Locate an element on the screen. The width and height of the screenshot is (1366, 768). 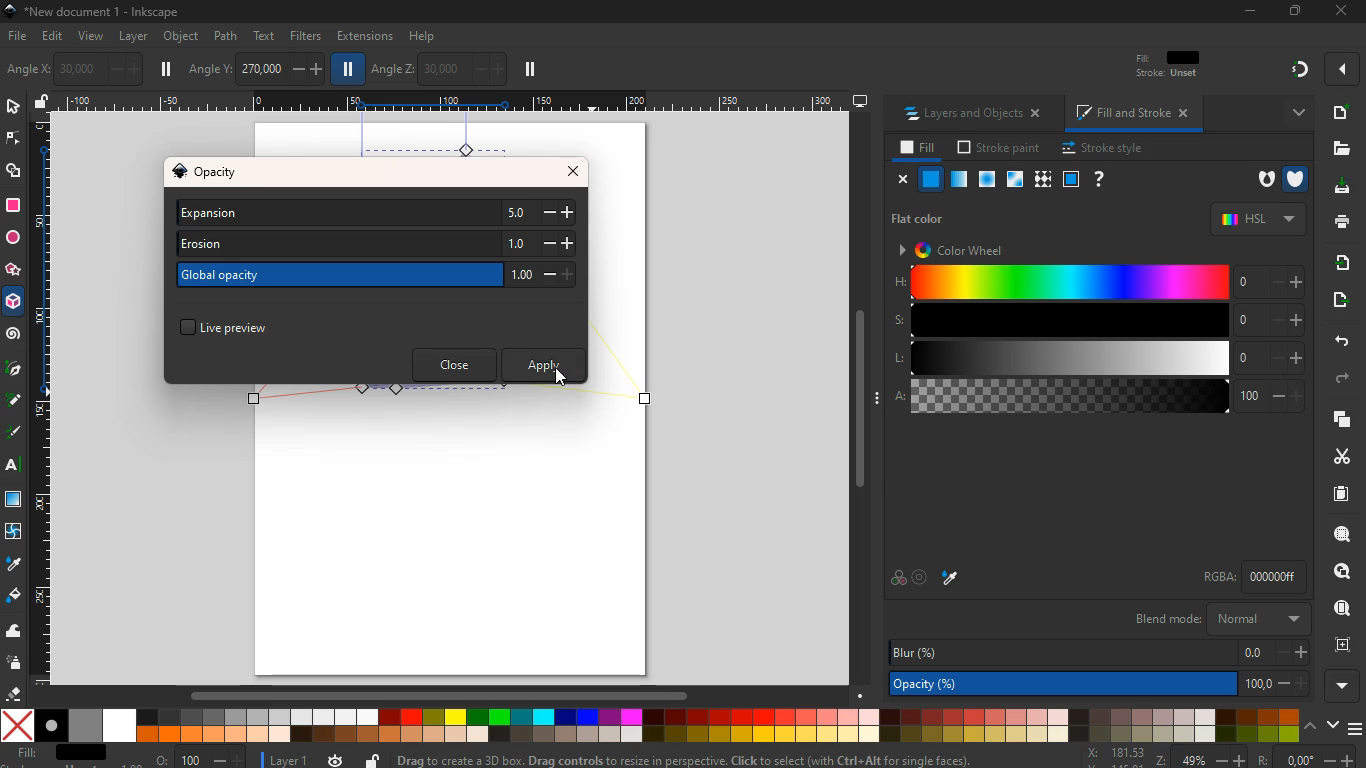
stroke paint is located at coordinates (995, 148).